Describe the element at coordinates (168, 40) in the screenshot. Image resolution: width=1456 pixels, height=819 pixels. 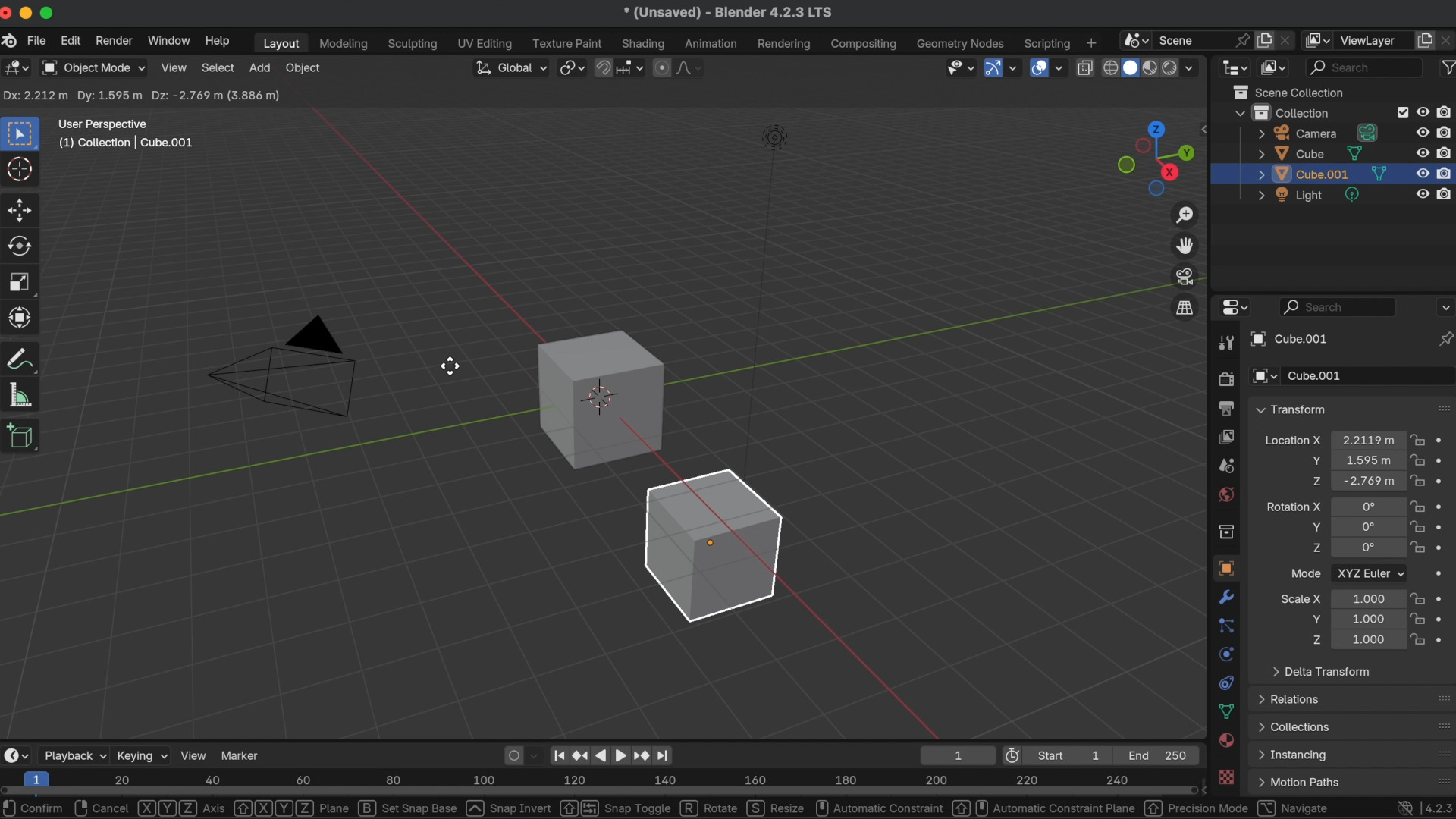
I see `window` at that location.